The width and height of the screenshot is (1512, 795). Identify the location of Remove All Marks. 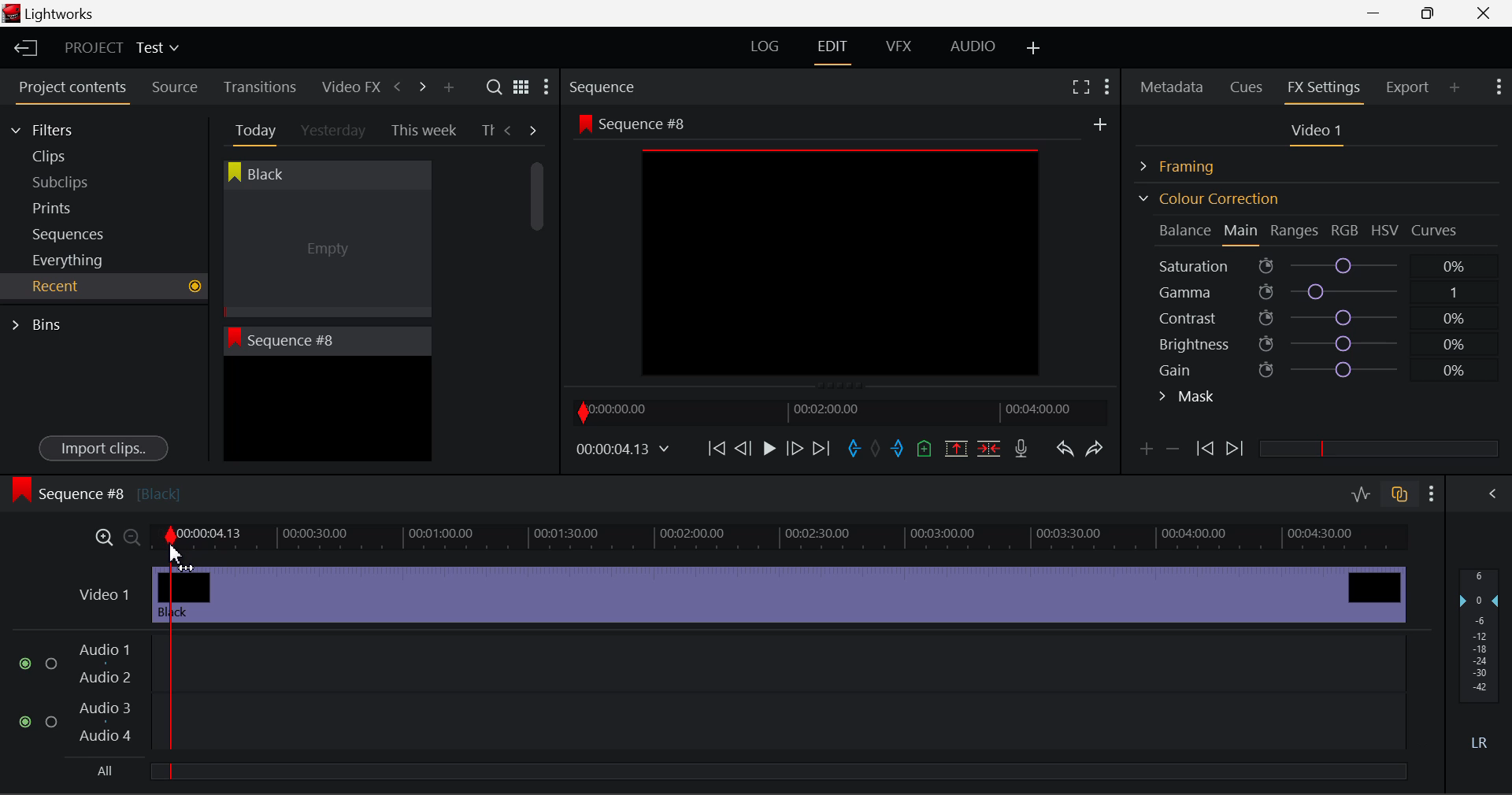
(877, 450).